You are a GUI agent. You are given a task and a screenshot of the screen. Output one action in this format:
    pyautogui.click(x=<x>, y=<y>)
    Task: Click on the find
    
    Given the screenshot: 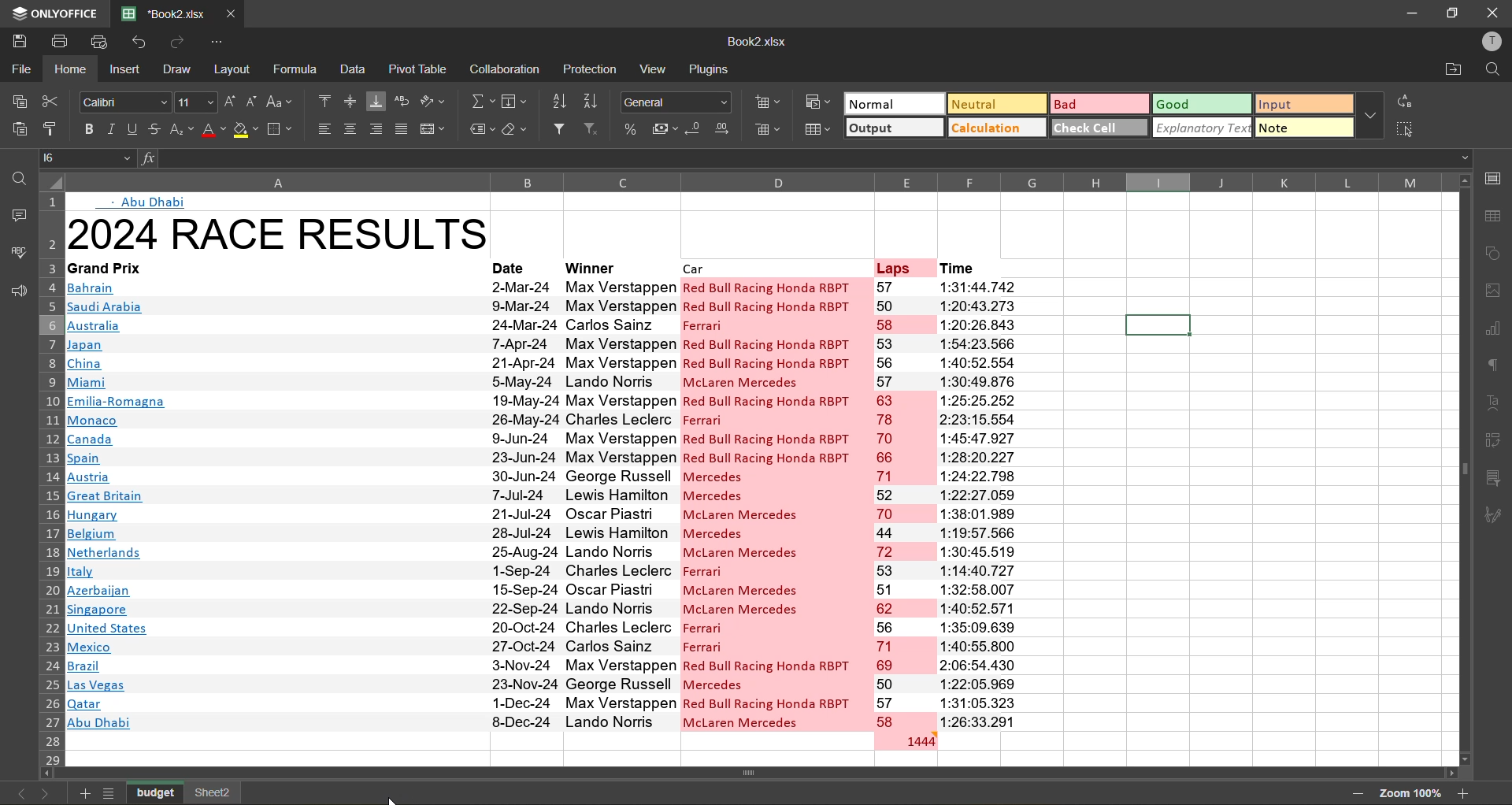 What is the action you would take?
    pyautogui.click(x=16, y=173)
    